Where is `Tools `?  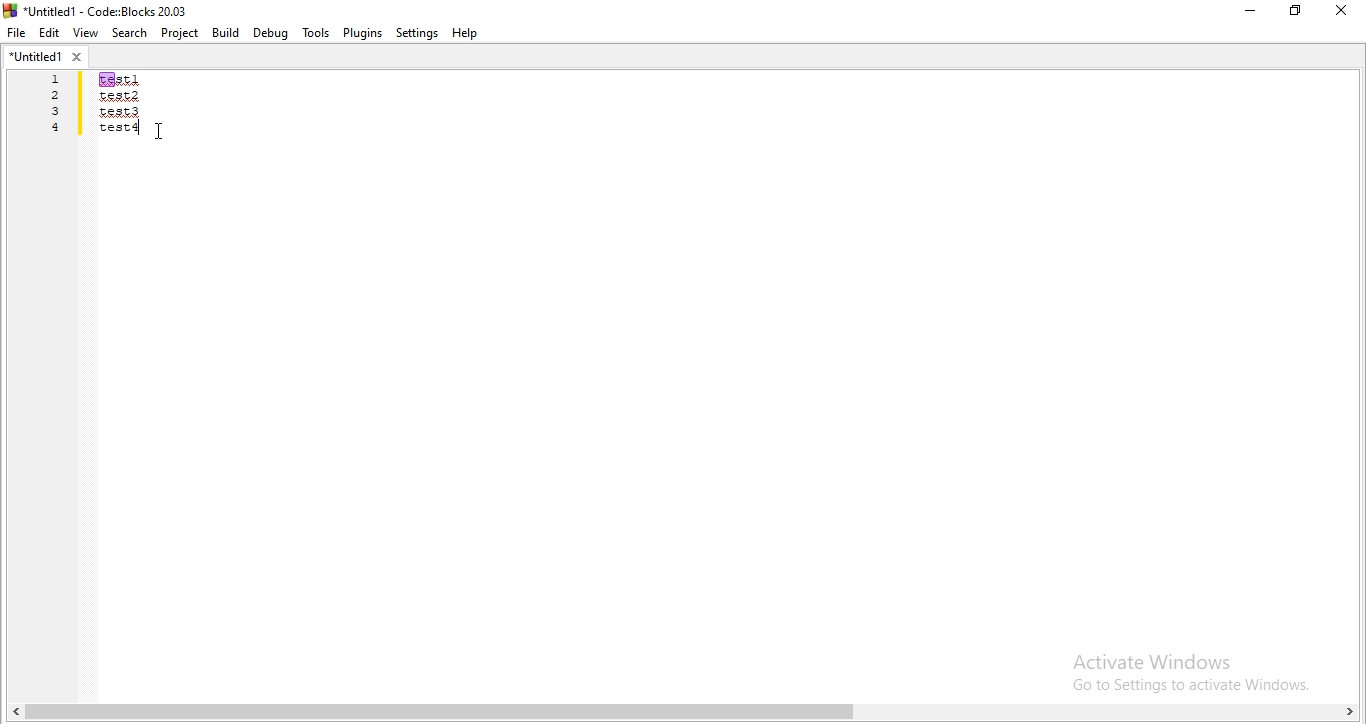 Tools  is located at coordinates (315, 33).